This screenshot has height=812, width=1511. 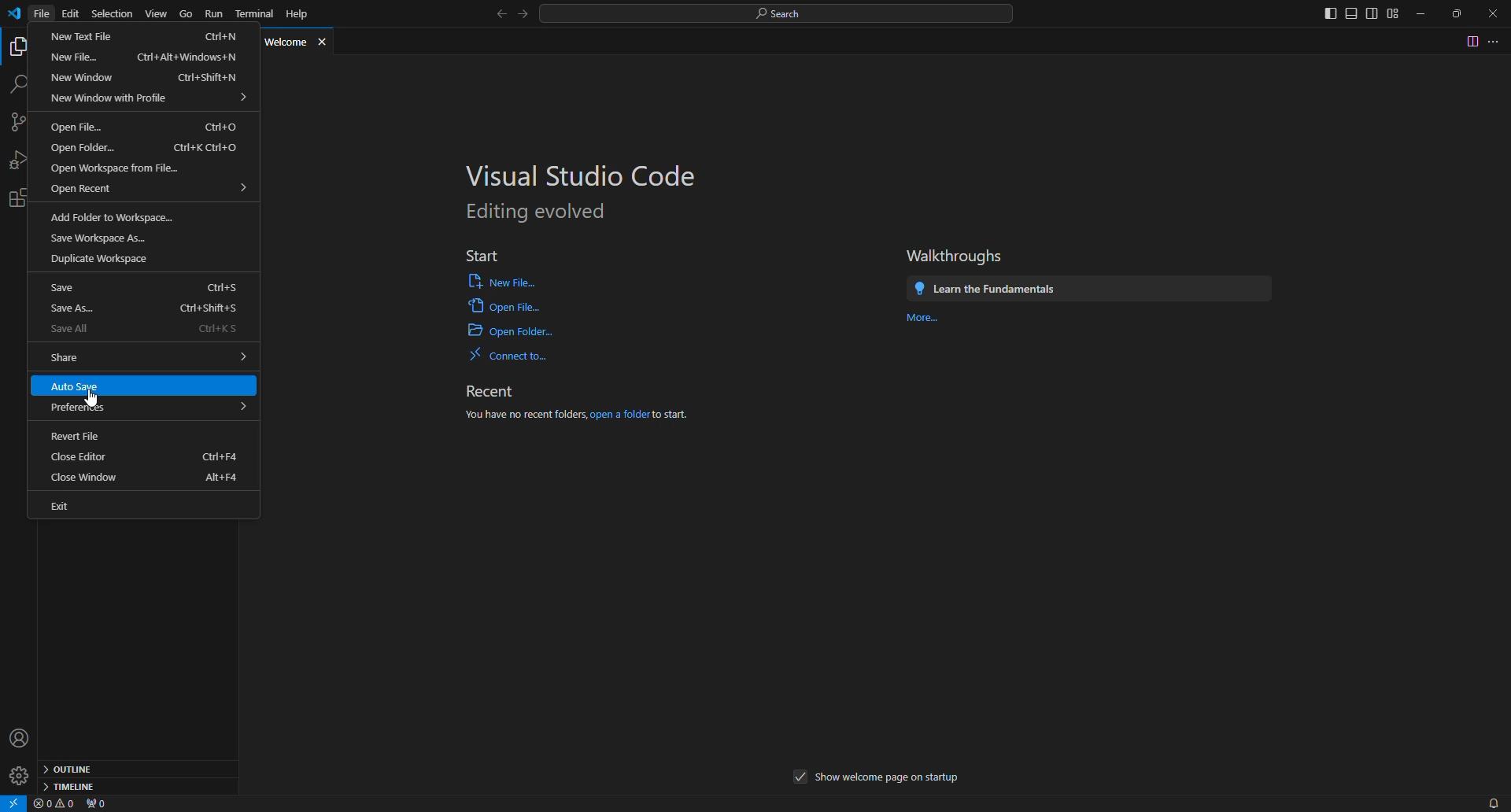 What do you see at coordinates (118, 169) in the screenshot?
I see `open workspace from file` at bounding box center [118, 169].